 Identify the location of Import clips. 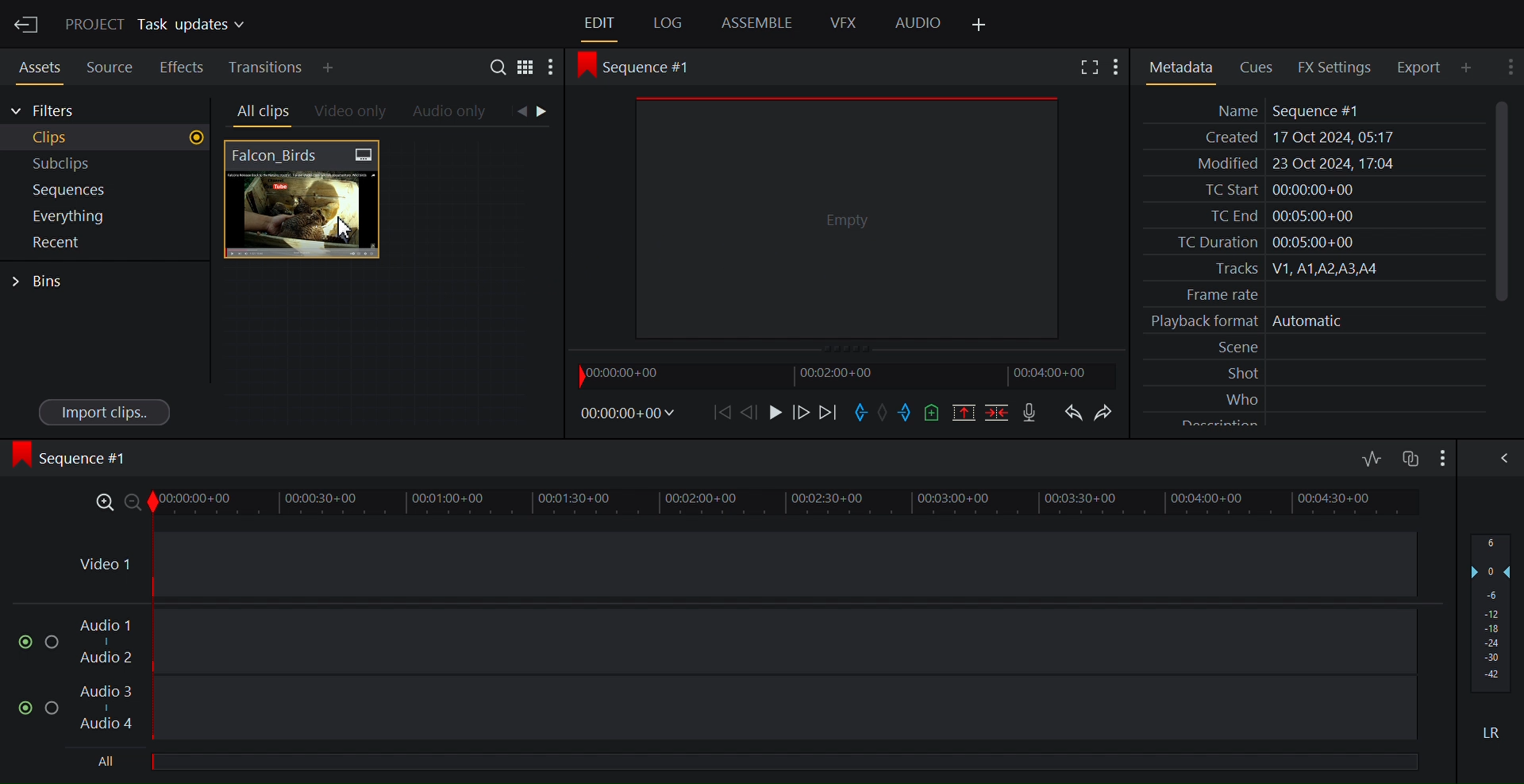
(106, 411).